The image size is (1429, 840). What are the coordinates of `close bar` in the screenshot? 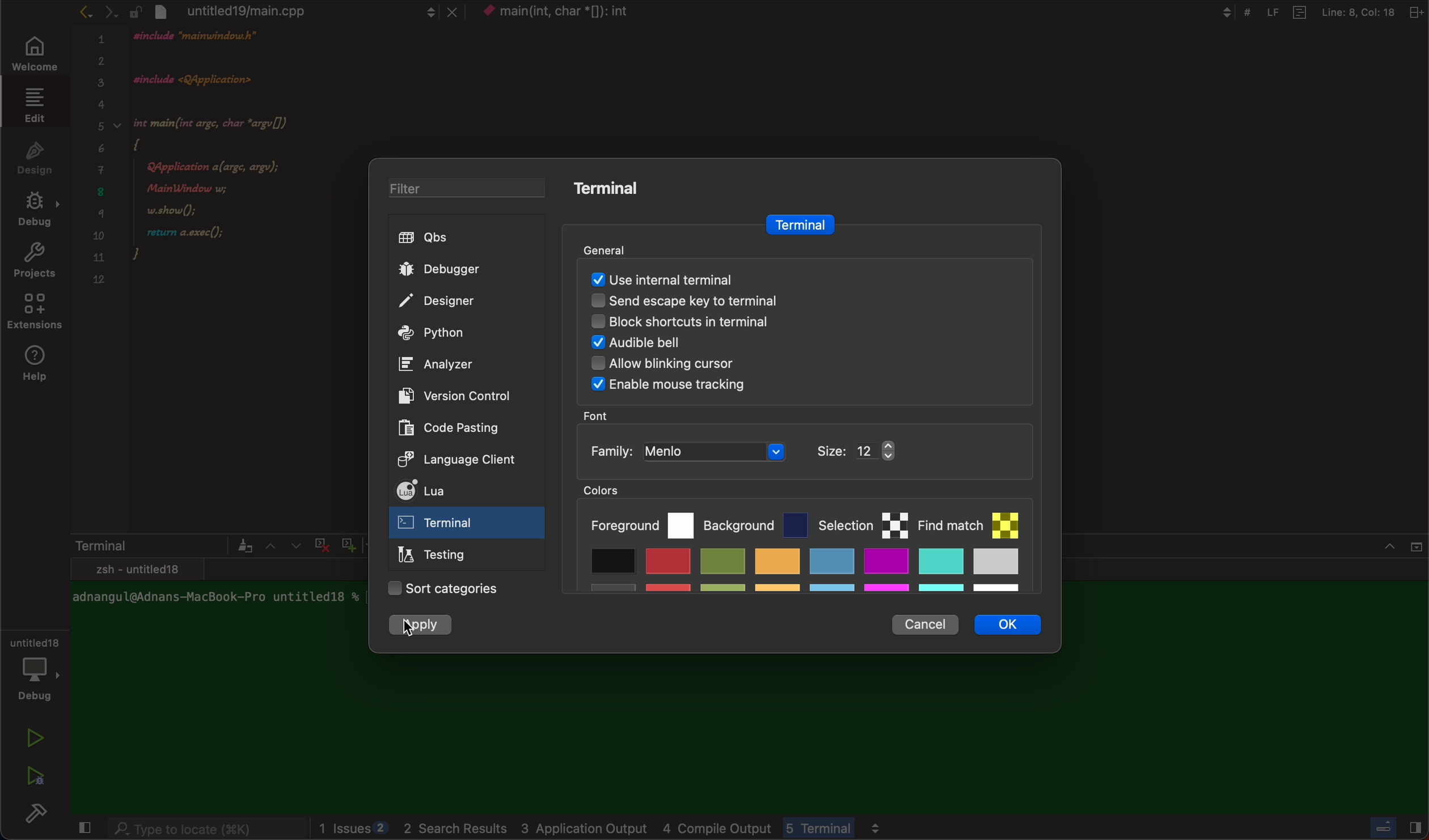 It's located at (1389, 825).